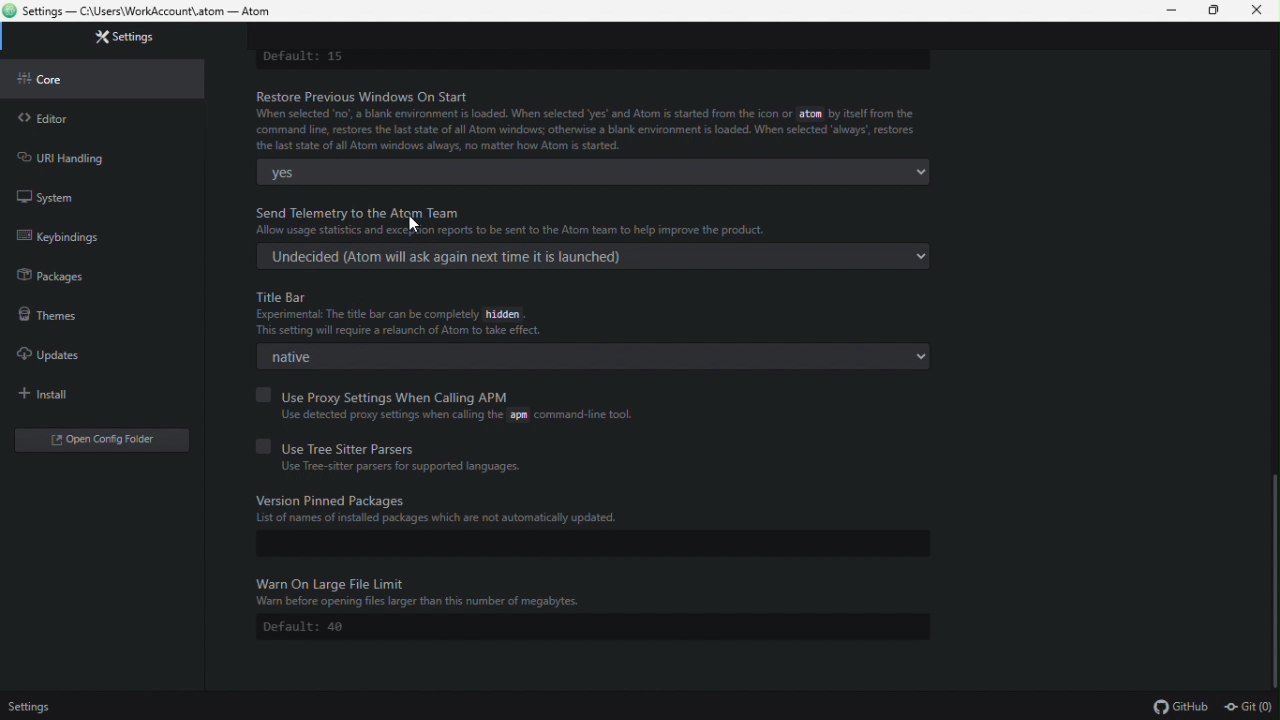  Describe the element at coordinates (1272, 574) in the screenshot. I see `Scroll bar` at that location.